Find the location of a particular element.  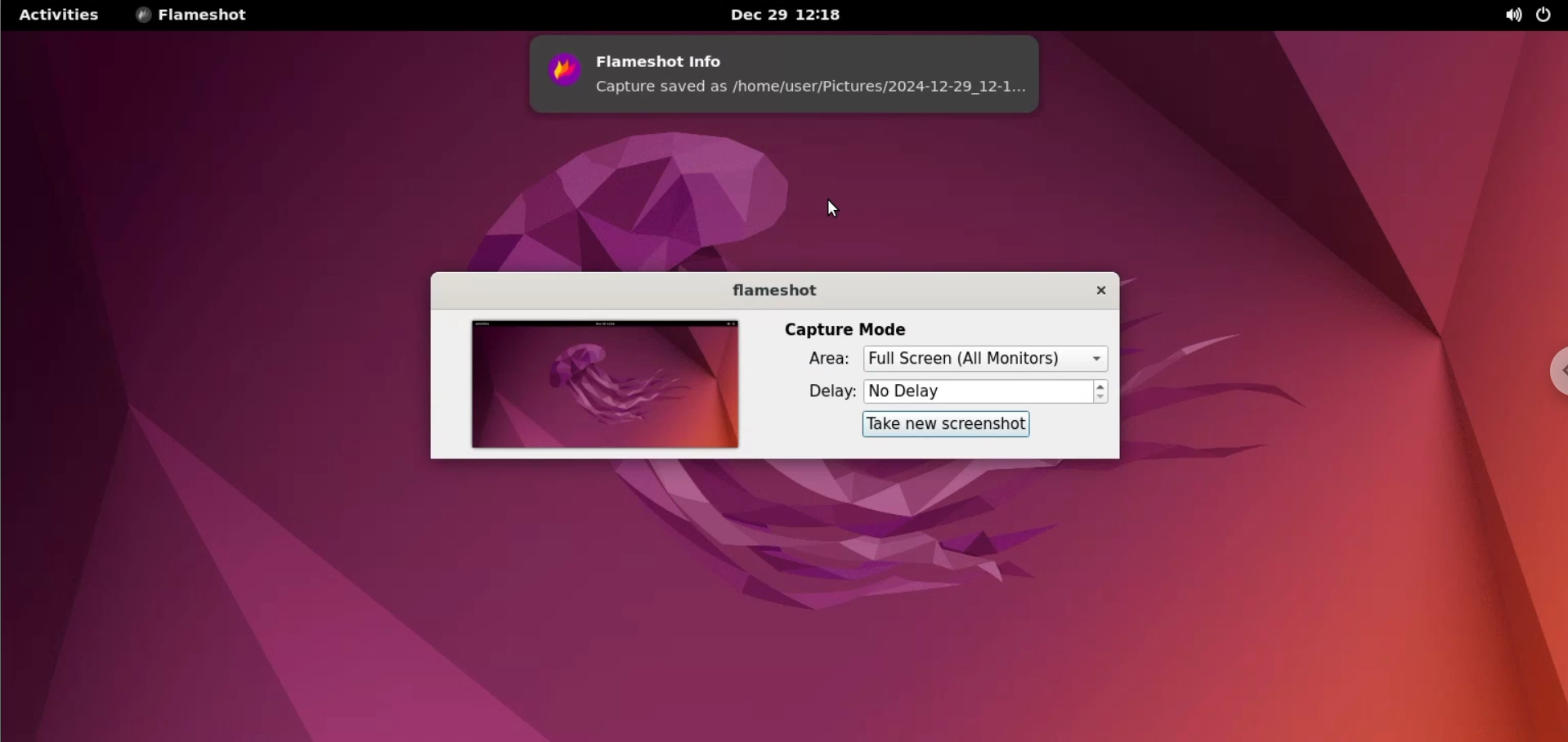

flameshot logo is located at coordinates (561, 74).